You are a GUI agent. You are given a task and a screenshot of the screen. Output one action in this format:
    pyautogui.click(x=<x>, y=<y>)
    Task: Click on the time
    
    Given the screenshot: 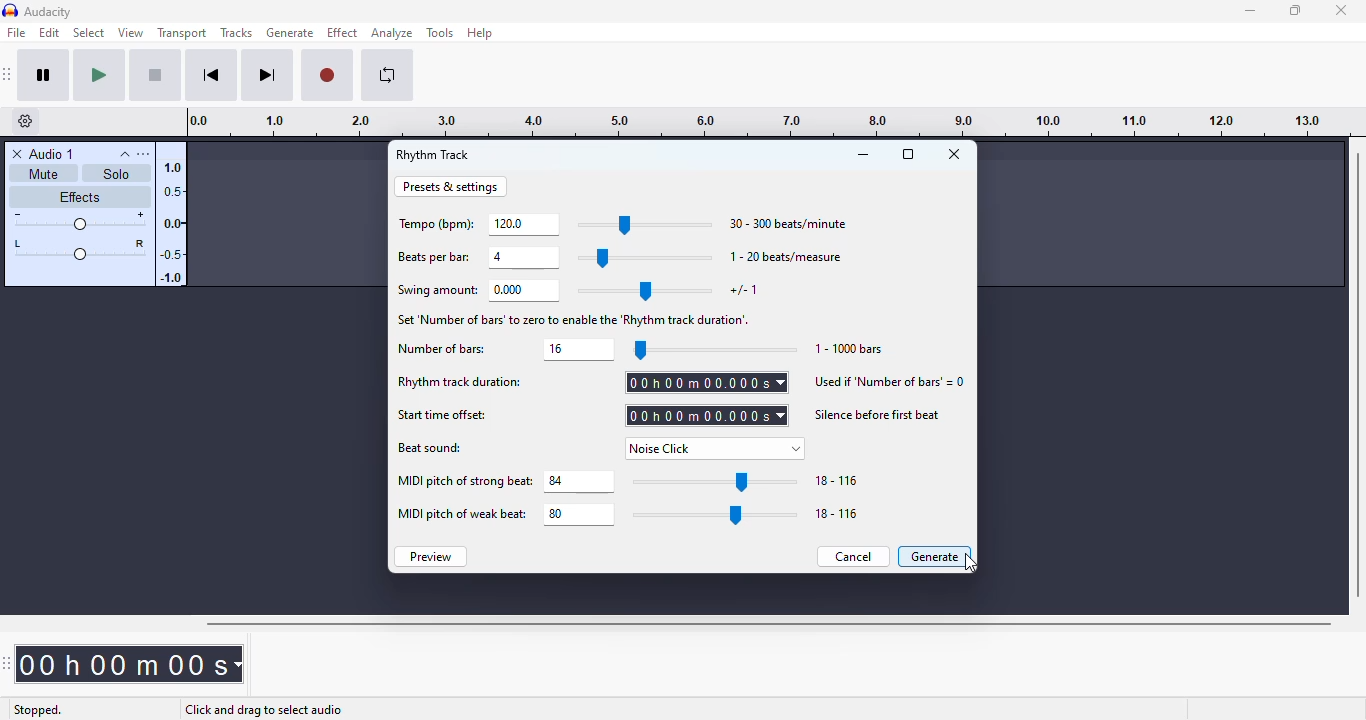 What is the action you would take?
    pyautogui.click(x=130, y=664)
    